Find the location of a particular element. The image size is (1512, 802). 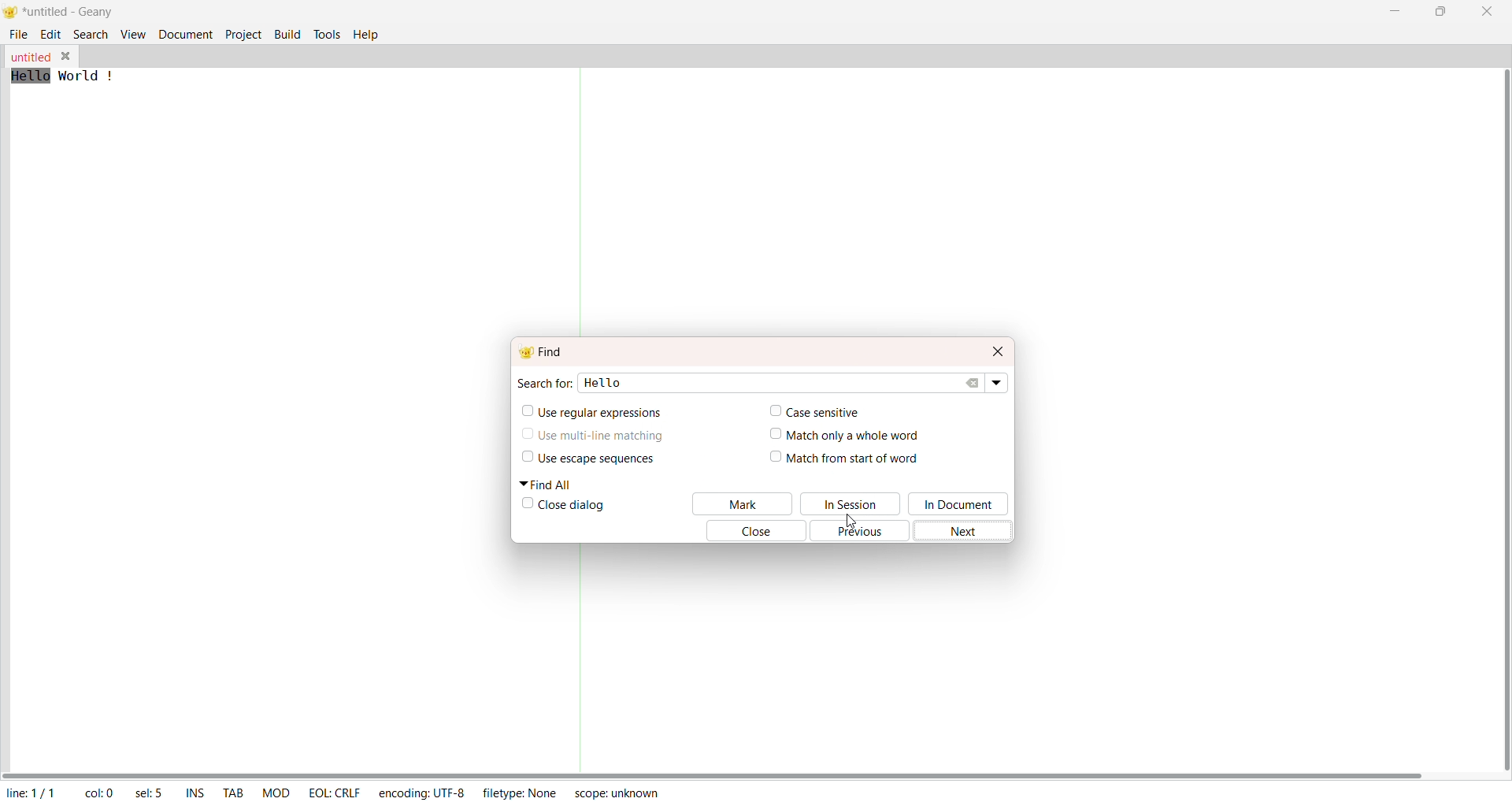

Close Dialog is located at coordinates (575, 507).